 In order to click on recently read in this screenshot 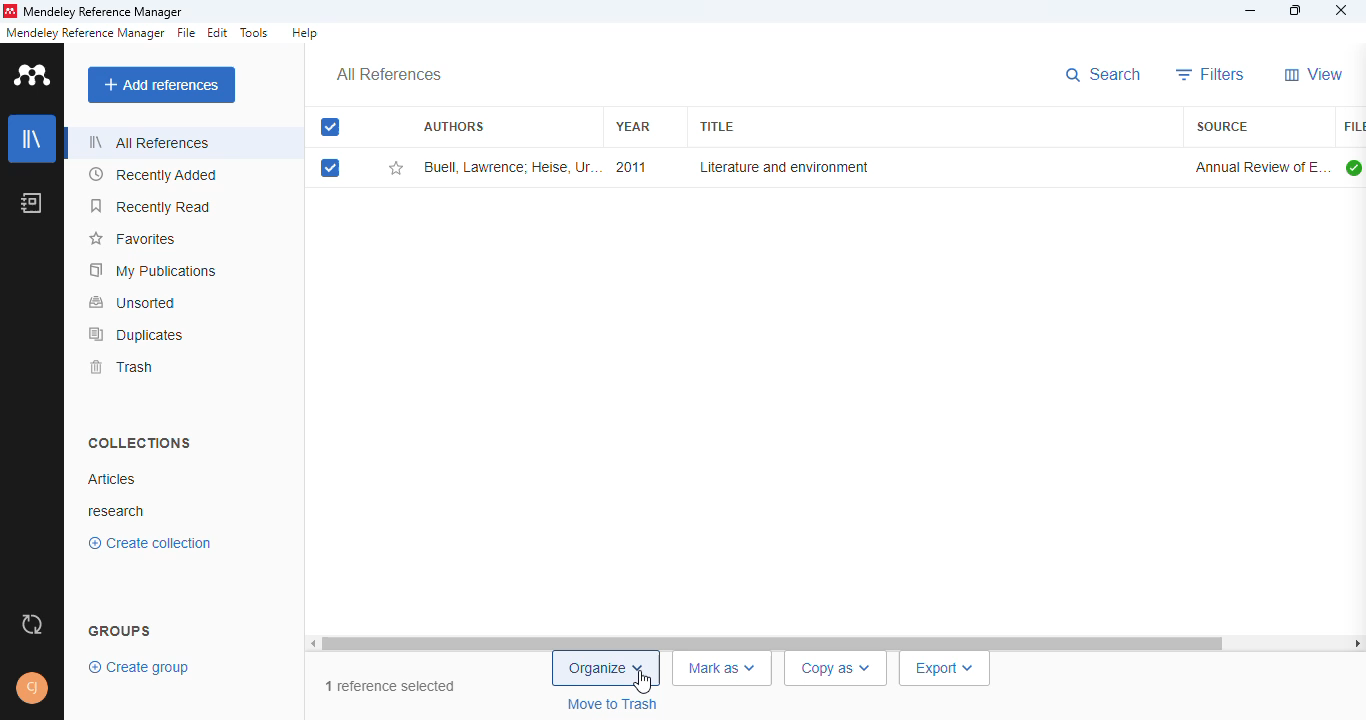, I will do `click(150, 206)`.